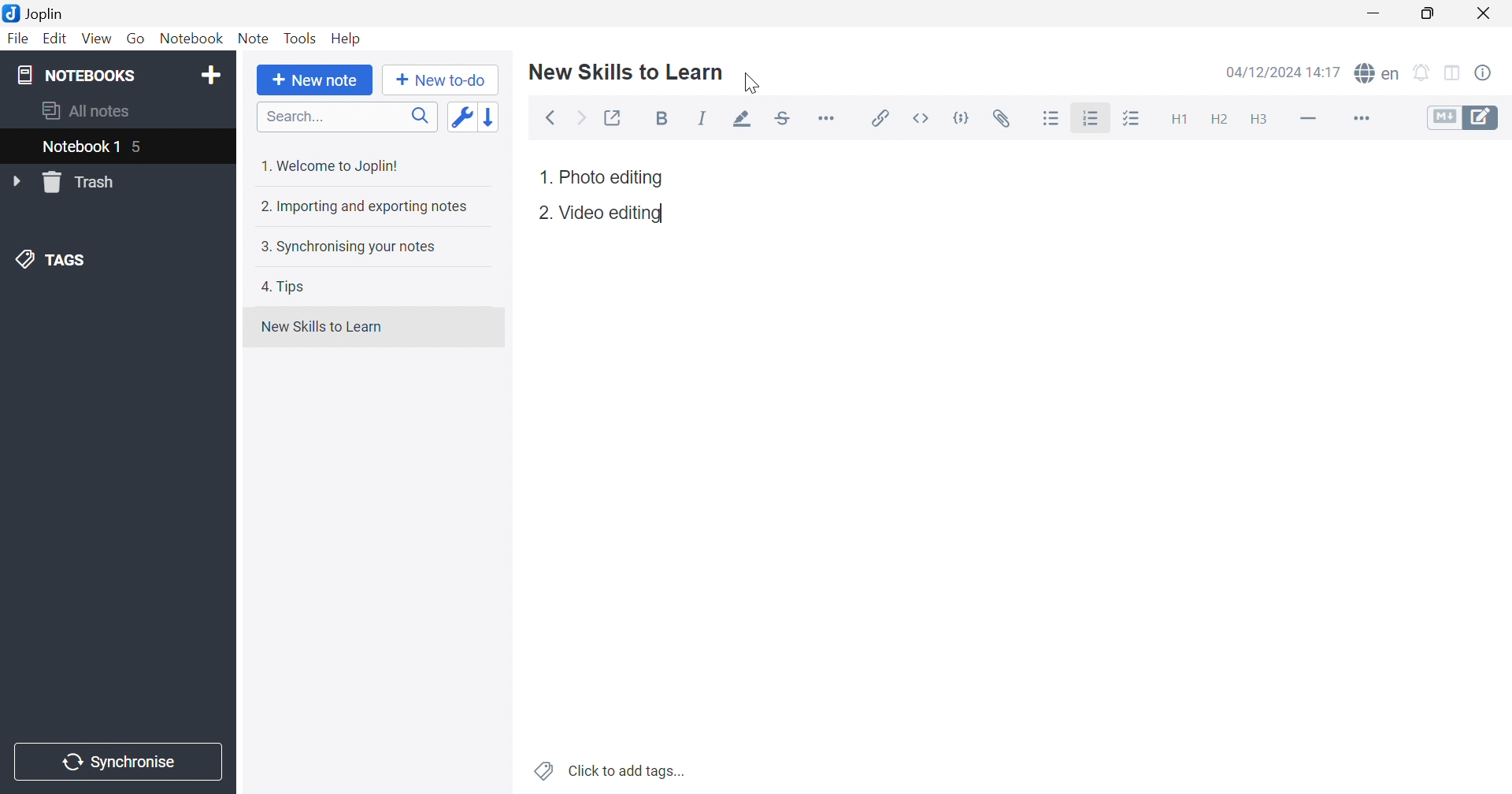 The width and height of the screenshot is (1512, 794). Describe the element at coordinates (461, 116) in the screenshot. I see `Toggle sort order field: custom order -> updated date` at that location.